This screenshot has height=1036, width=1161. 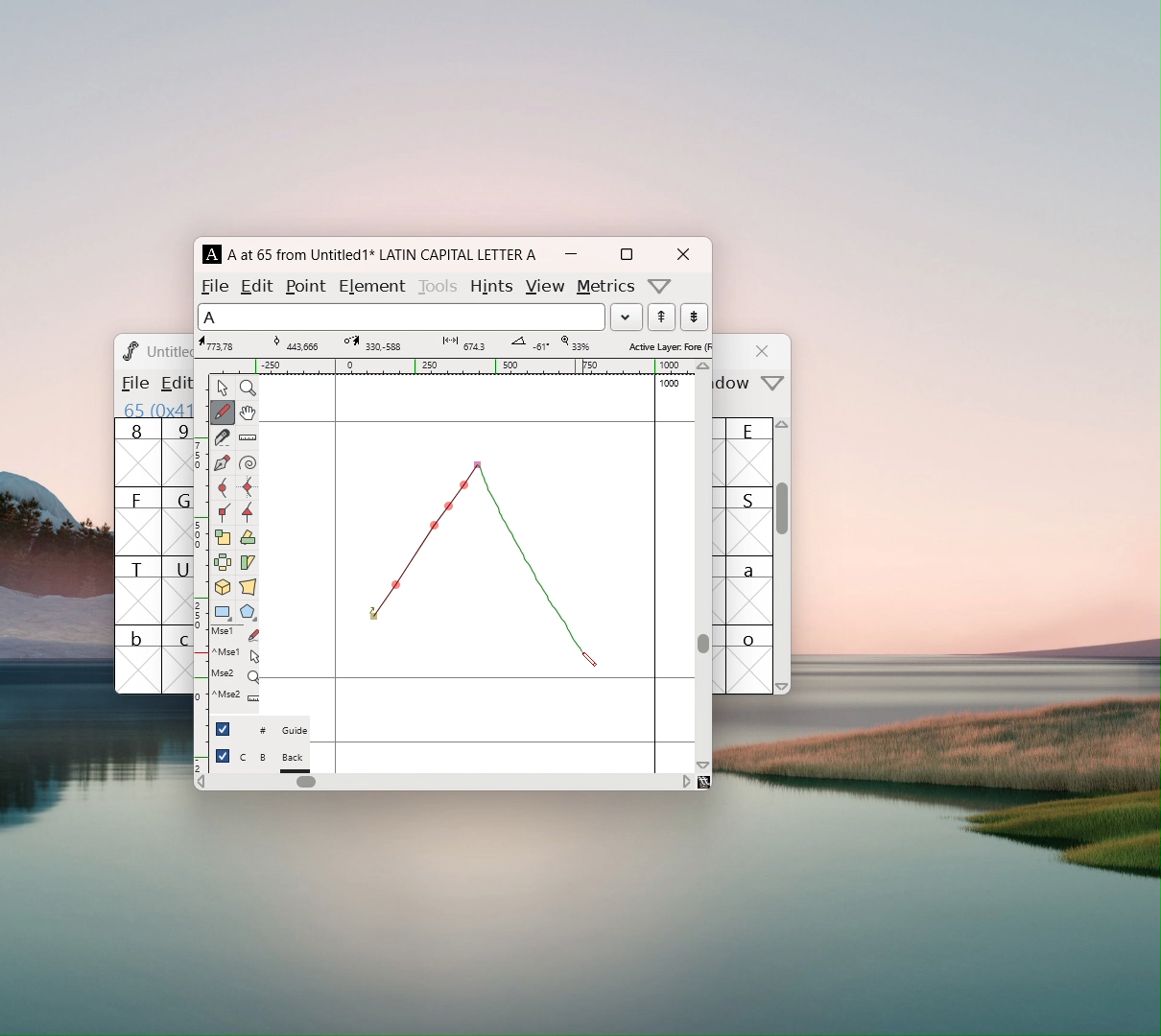 I want to click on cut splines in two, so click(x=223, y=439).